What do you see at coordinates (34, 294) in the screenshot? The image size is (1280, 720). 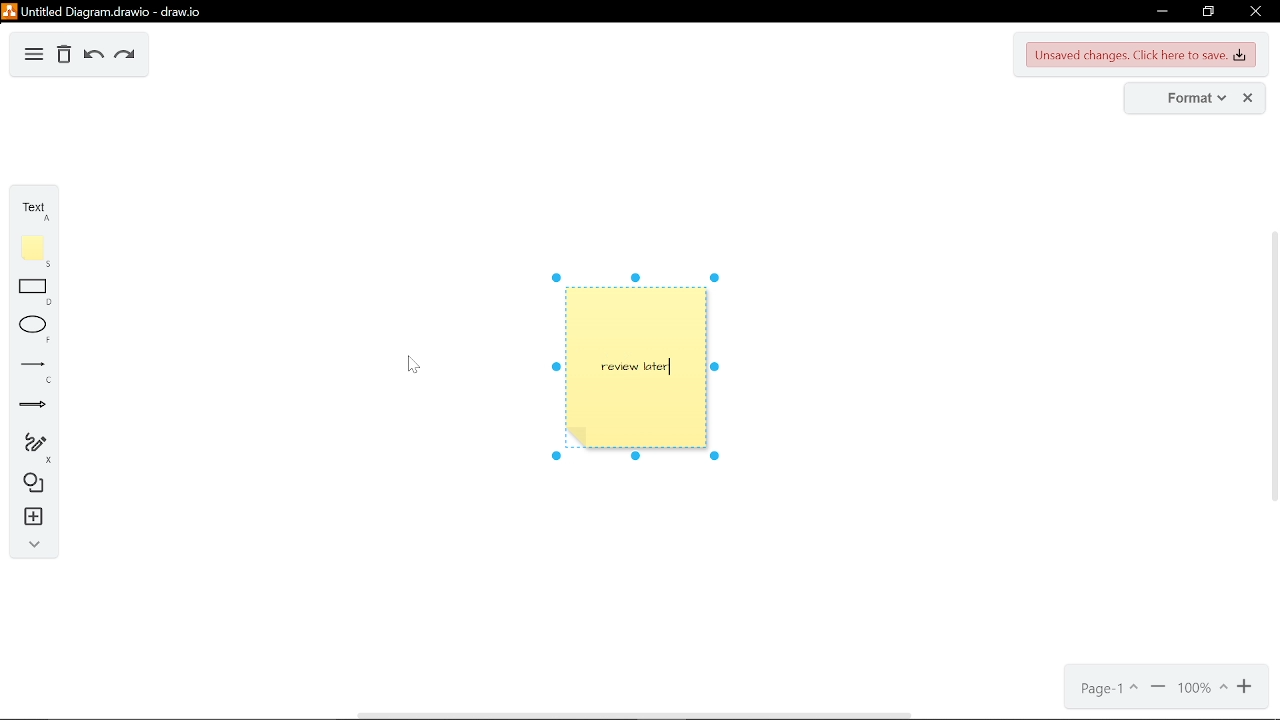 I see `rectangle` at bounding box center [34, 294].